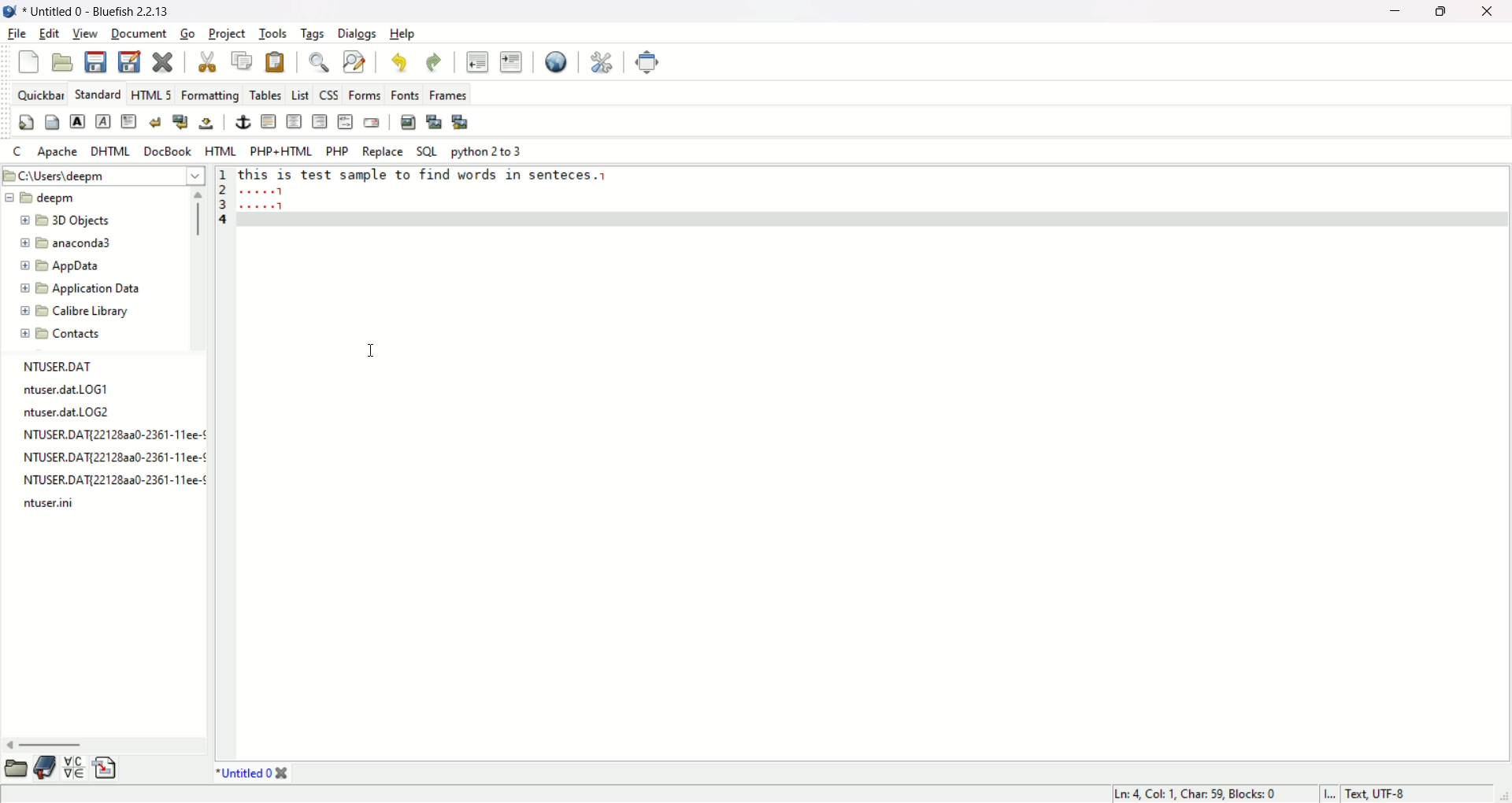 The width and height of the screenshot is (1512, 803). Describe the element at coordinates (104, 176) in the screenshot. I see `C:\Users\deepm` at that location.